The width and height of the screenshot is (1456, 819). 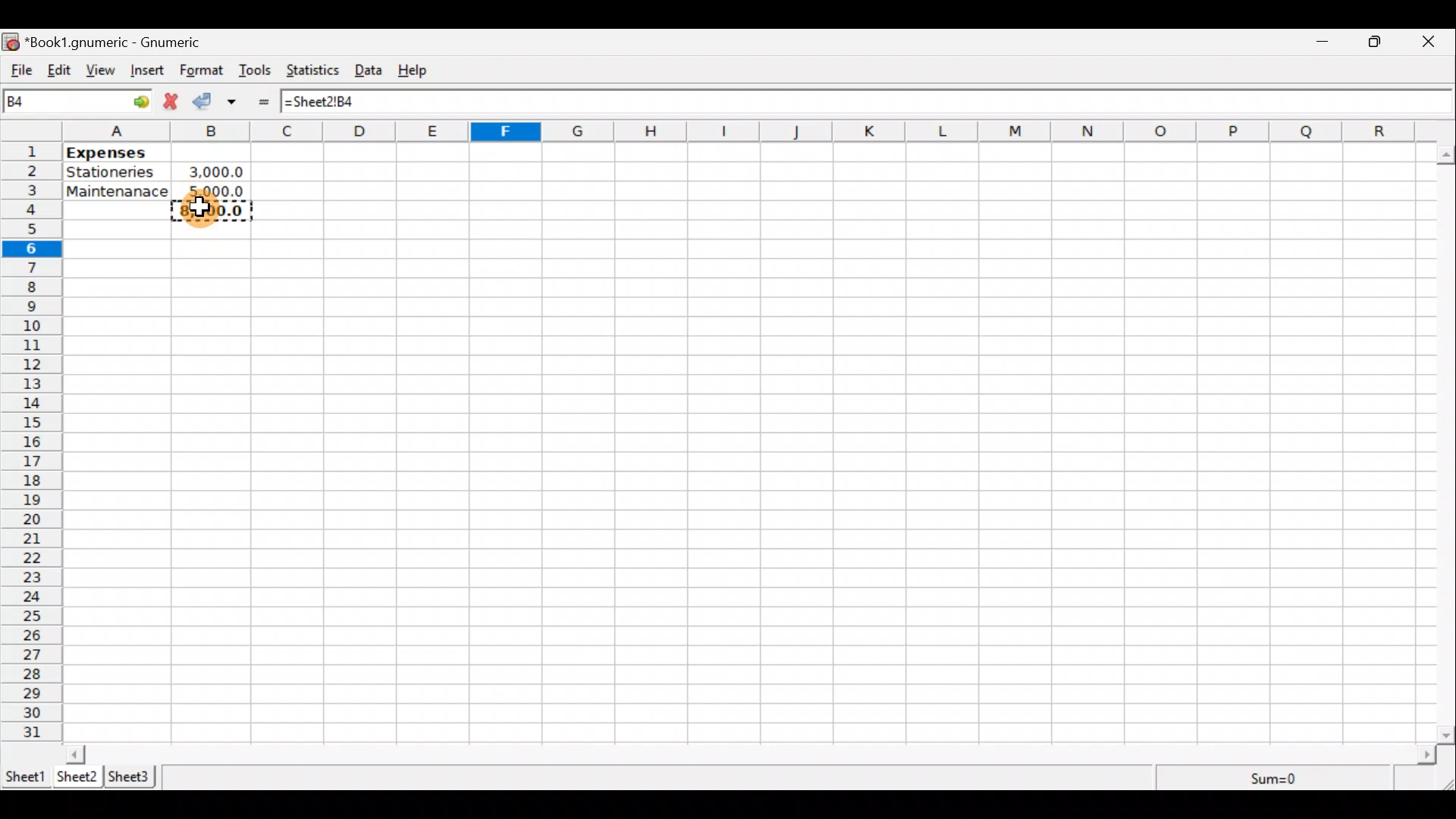 I want to click on 8000, so click(x=212, y=211).